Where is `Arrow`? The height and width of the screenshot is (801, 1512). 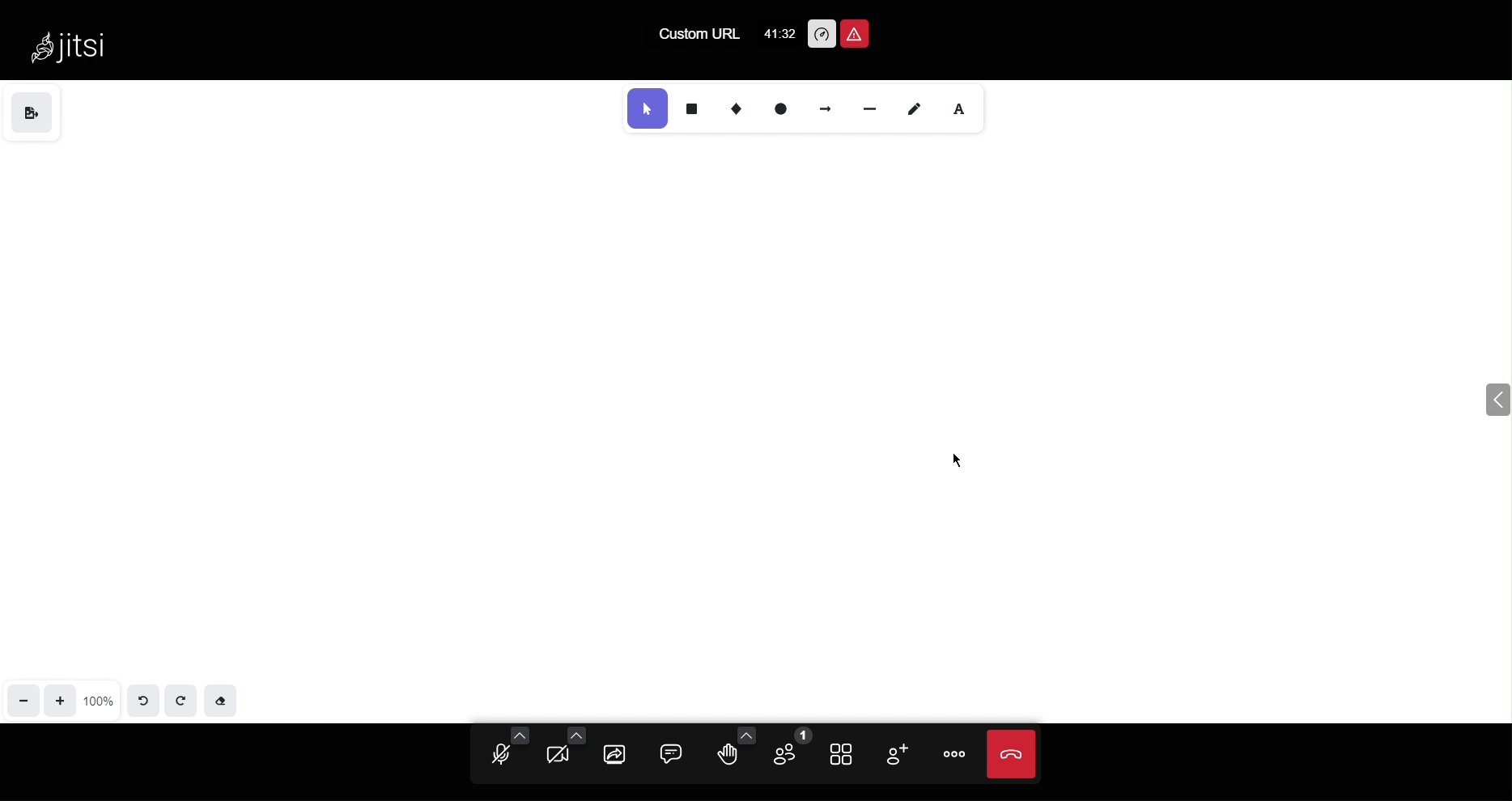 Arrow is located at coordinates (827, 108).